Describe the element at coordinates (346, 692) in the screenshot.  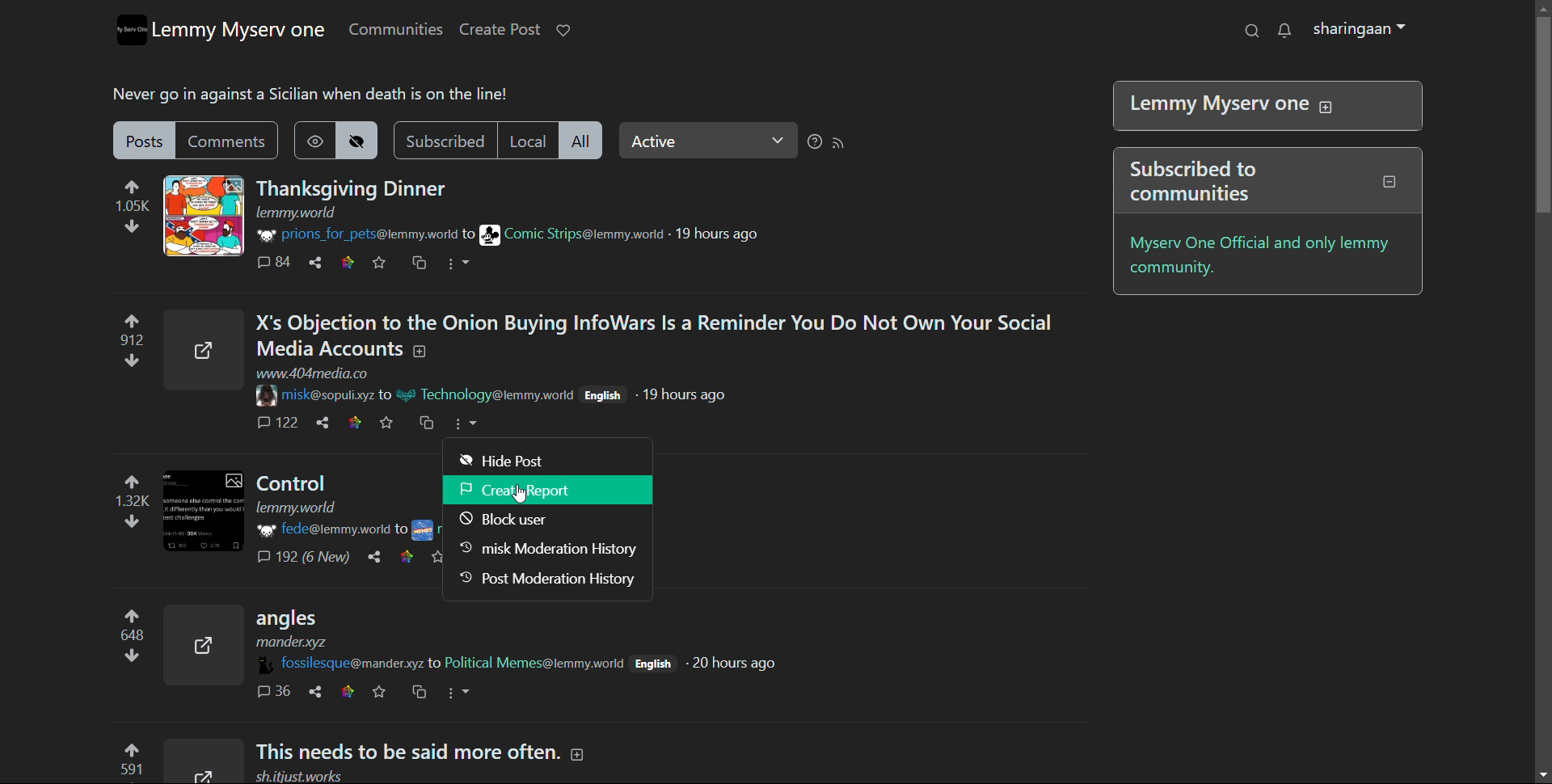
I see `link` at that location.